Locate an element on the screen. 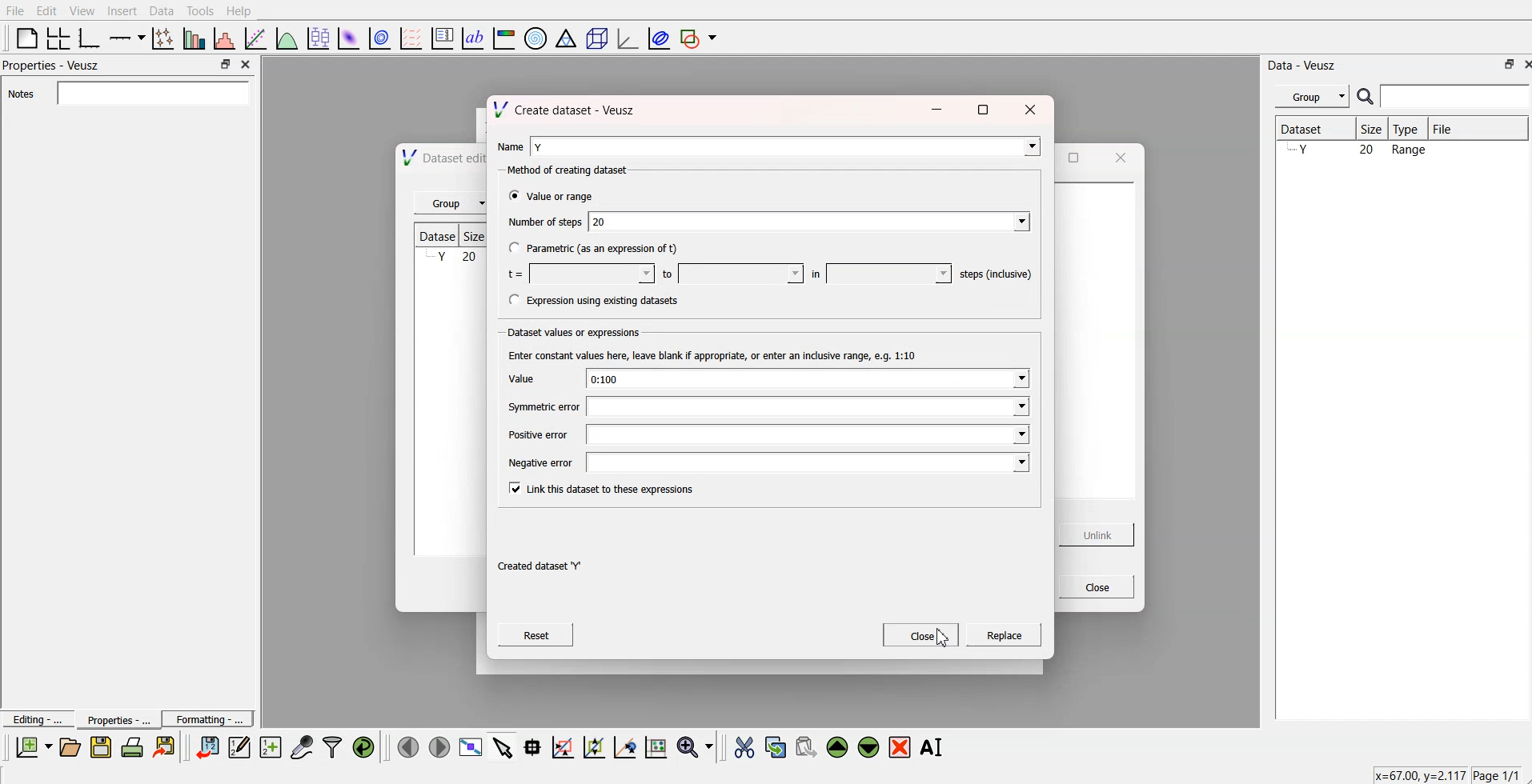  Print is located at coordinates (133, 747).